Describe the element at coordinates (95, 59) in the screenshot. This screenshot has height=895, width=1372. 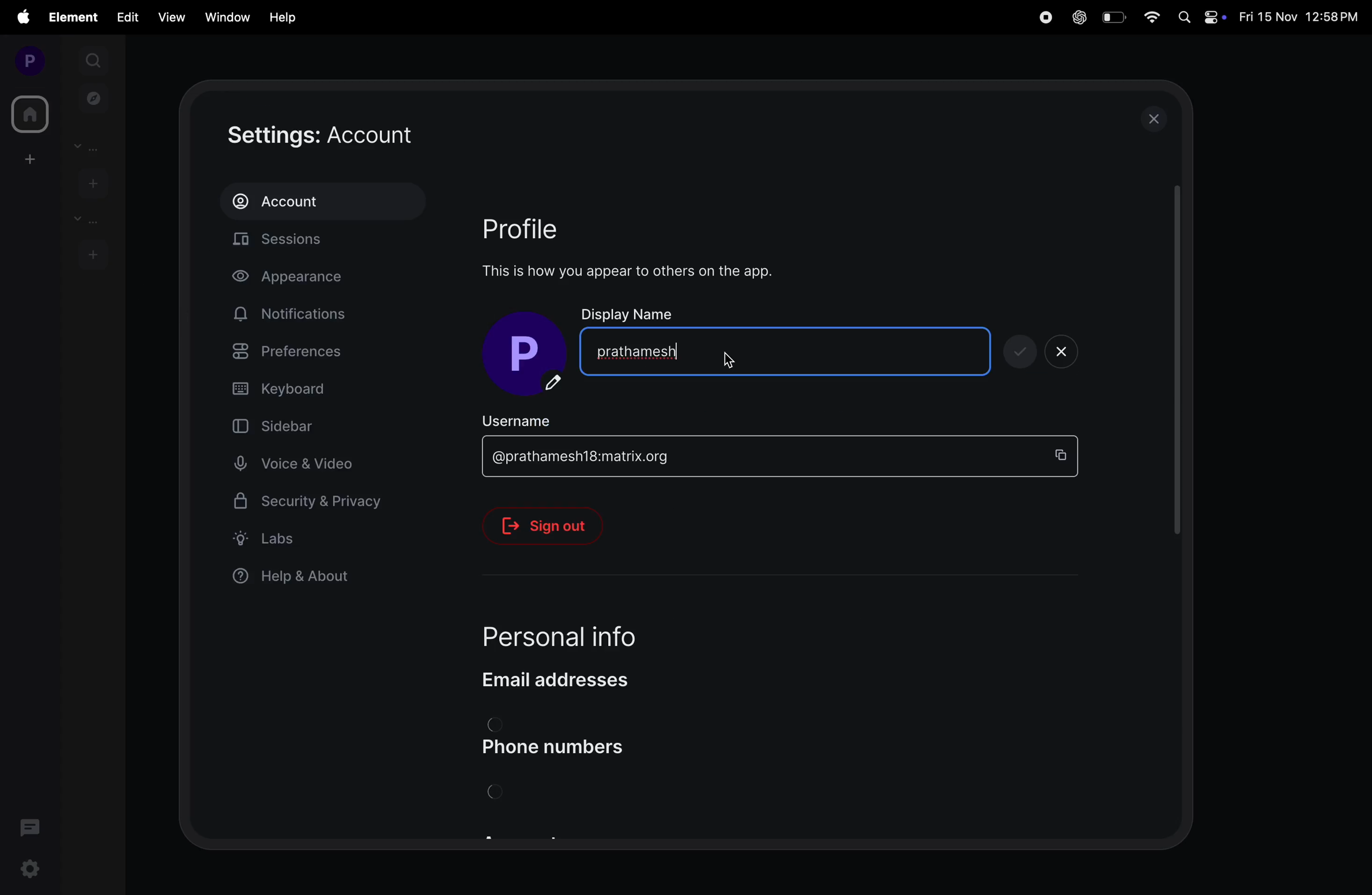
I see `search1` at that location.